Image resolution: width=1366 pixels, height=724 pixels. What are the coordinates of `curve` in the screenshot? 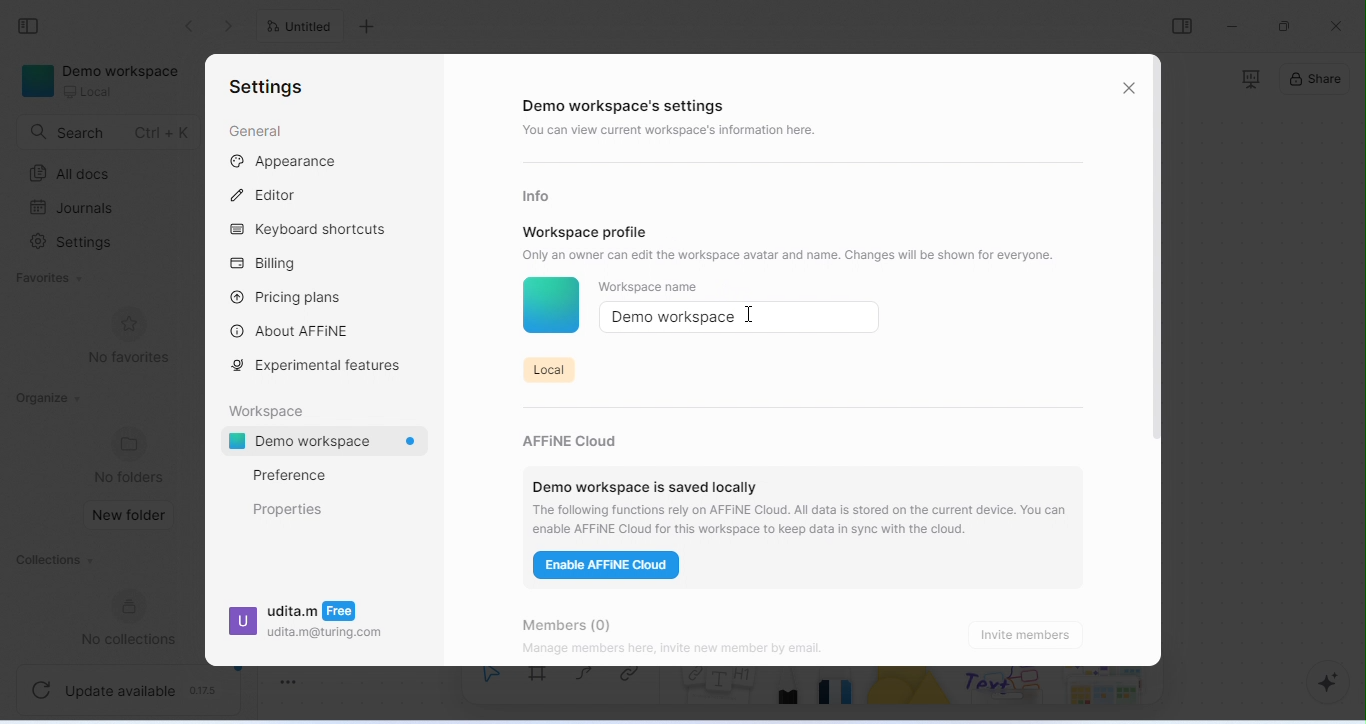 It's located at (589, 681).